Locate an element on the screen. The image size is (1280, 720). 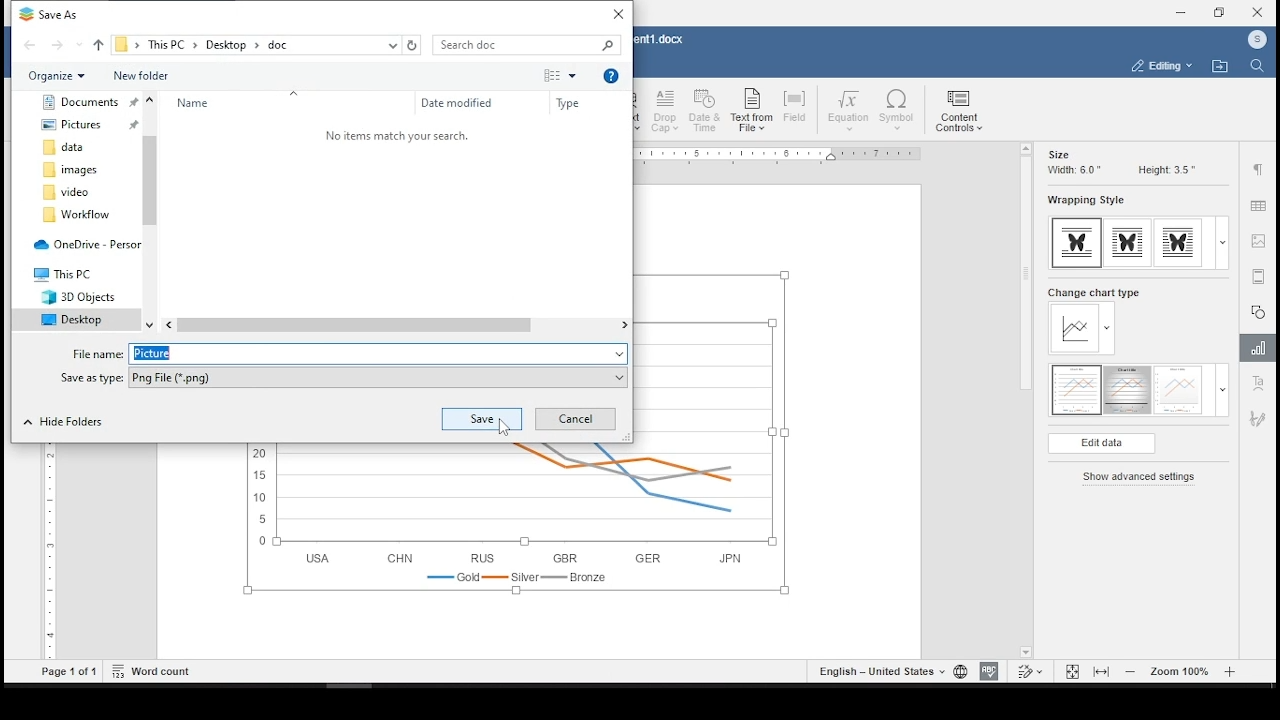
expand is located at coordinates (1222, 390).